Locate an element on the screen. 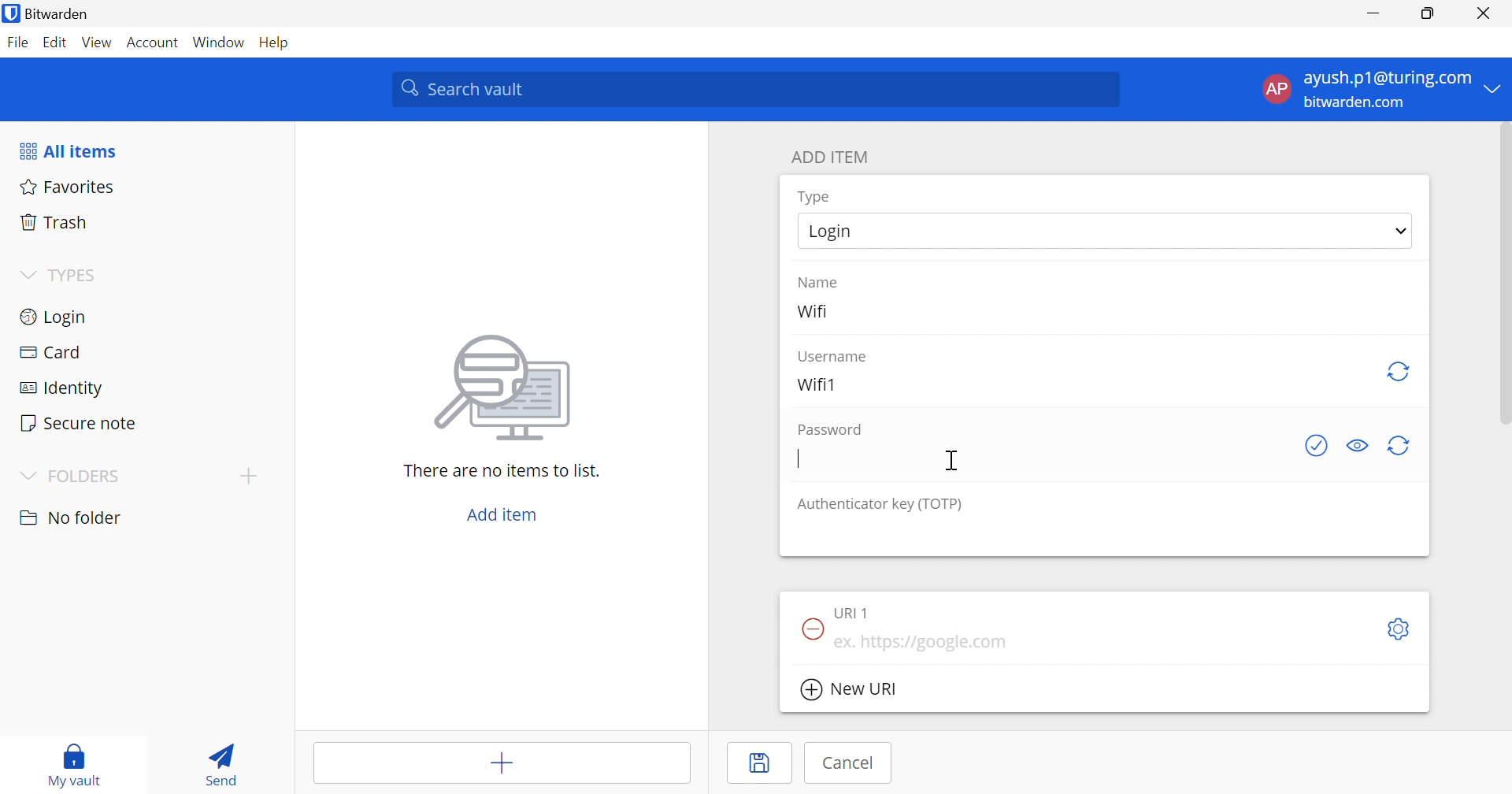 Image resolution: width=1512 pixels, height=794 pixels. Type is located at coordinates (816, 198).